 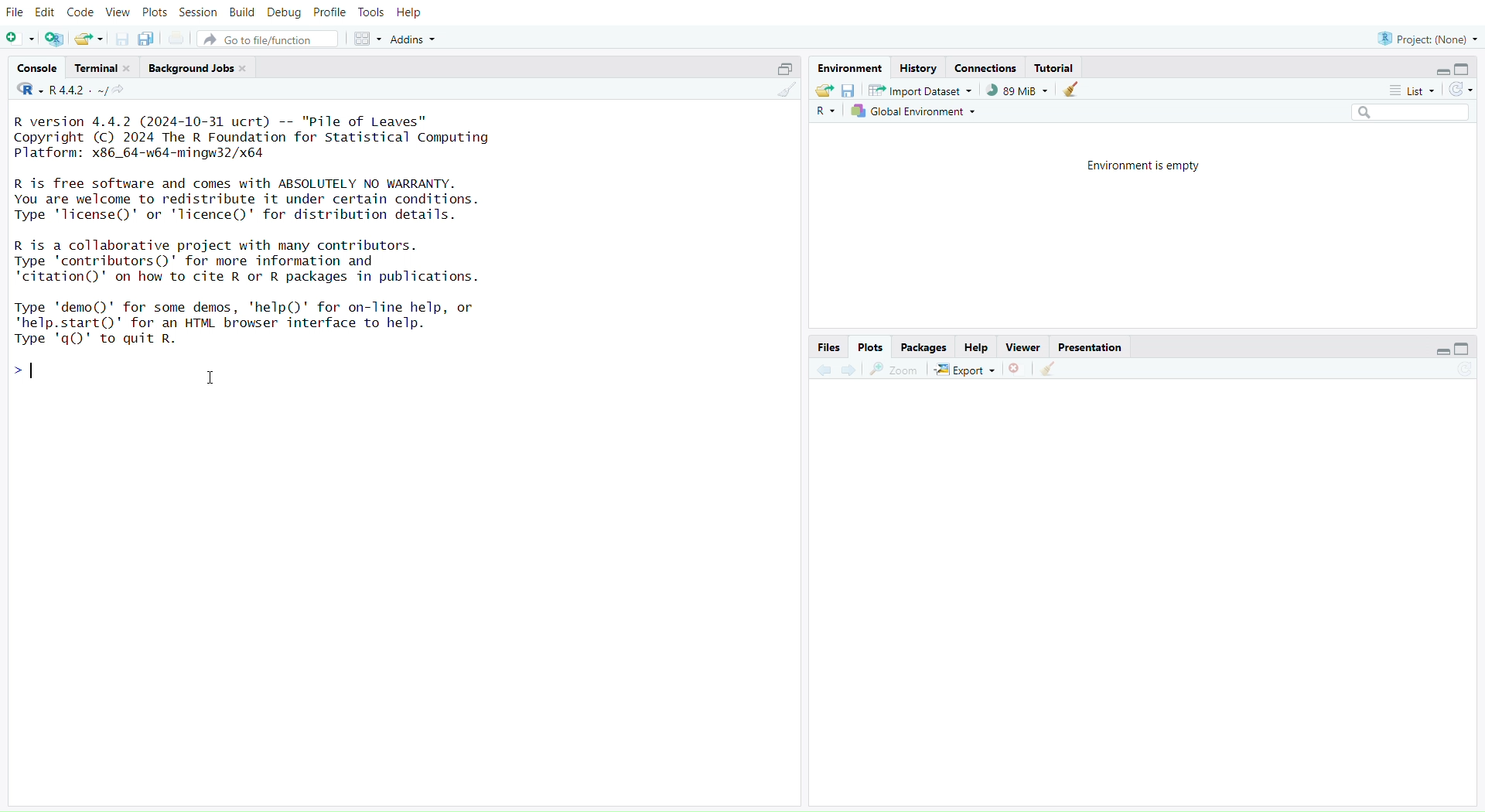 I want to click on Minimize, so click(x=1445, y=72).